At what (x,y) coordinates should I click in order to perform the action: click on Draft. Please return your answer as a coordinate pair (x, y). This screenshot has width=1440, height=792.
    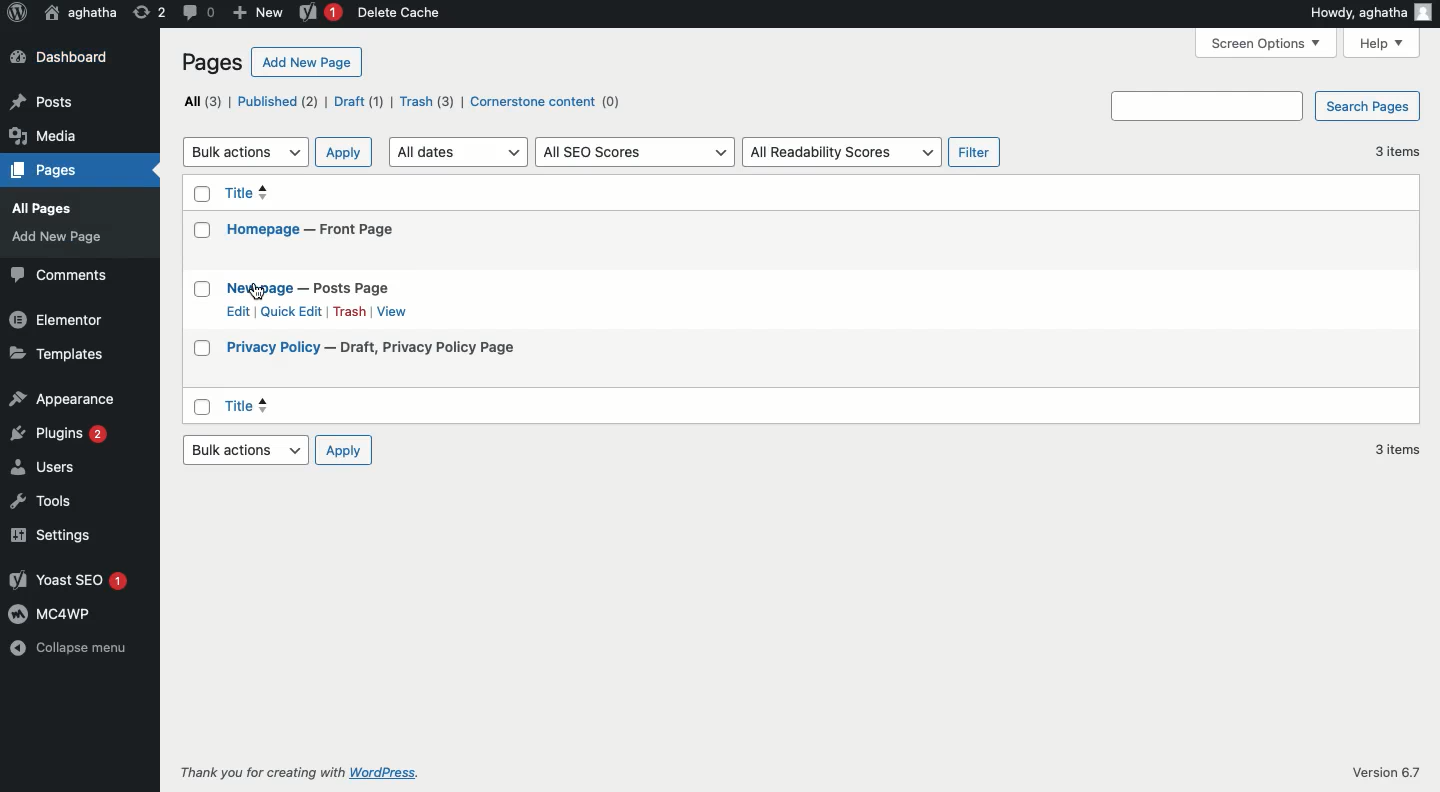
    Looking at the image, I should click on (361, 102).